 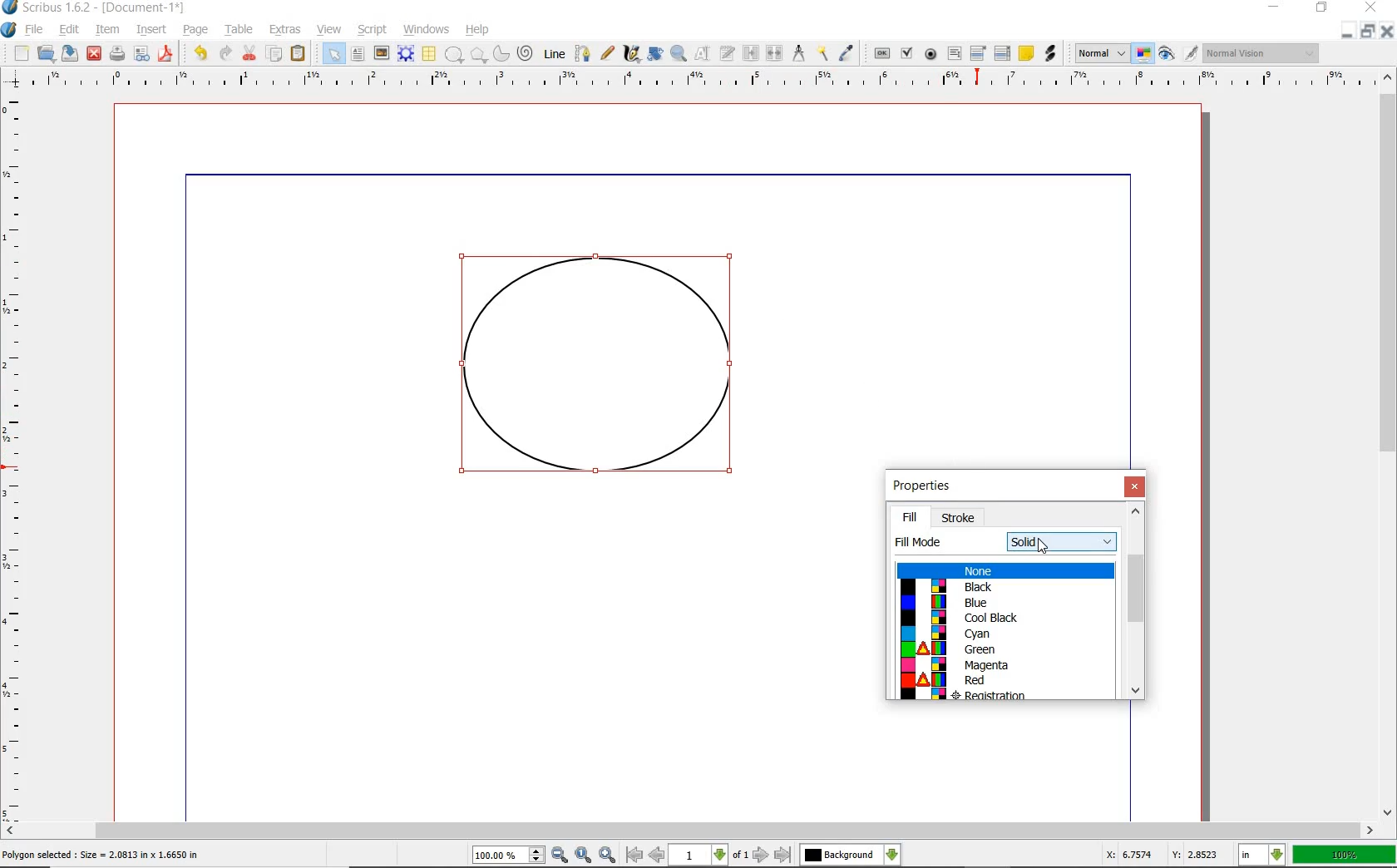 What do you see at coordinates (1004, 679) in the screenshot?
I see `color` at bounding box center [1004, 679].